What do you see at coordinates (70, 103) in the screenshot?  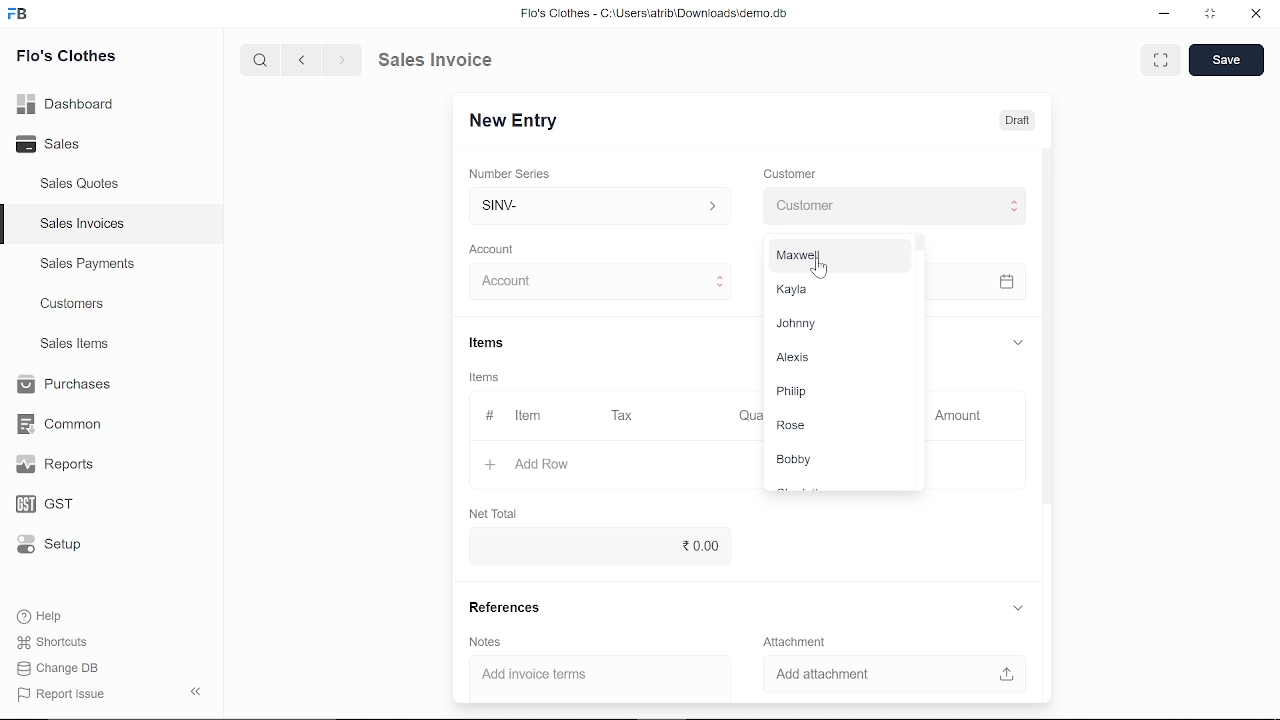 I see `Dashboard` at bounding box center [70, 103].